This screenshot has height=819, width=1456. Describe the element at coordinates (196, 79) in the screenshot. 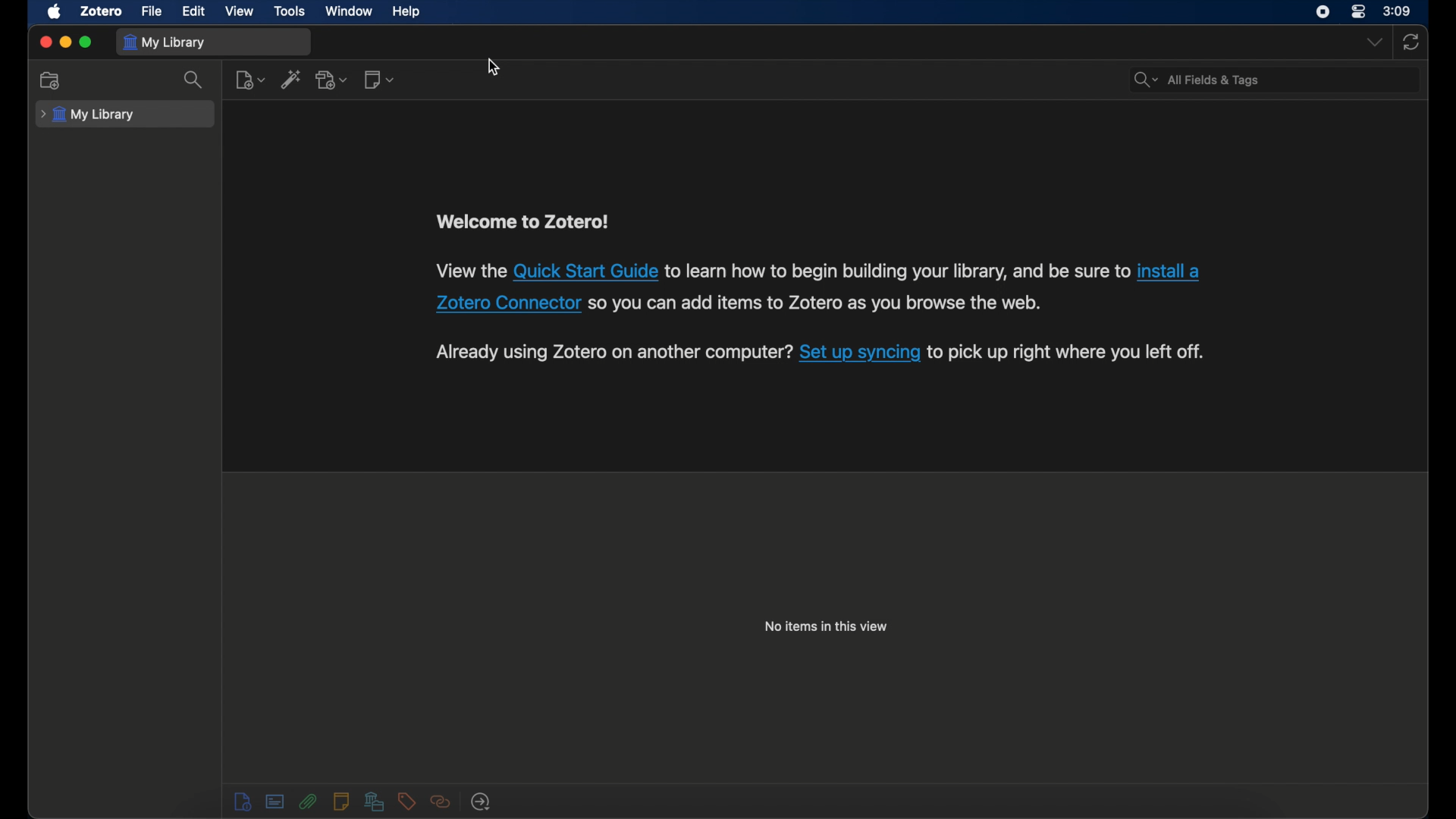

I see `search` at that location.